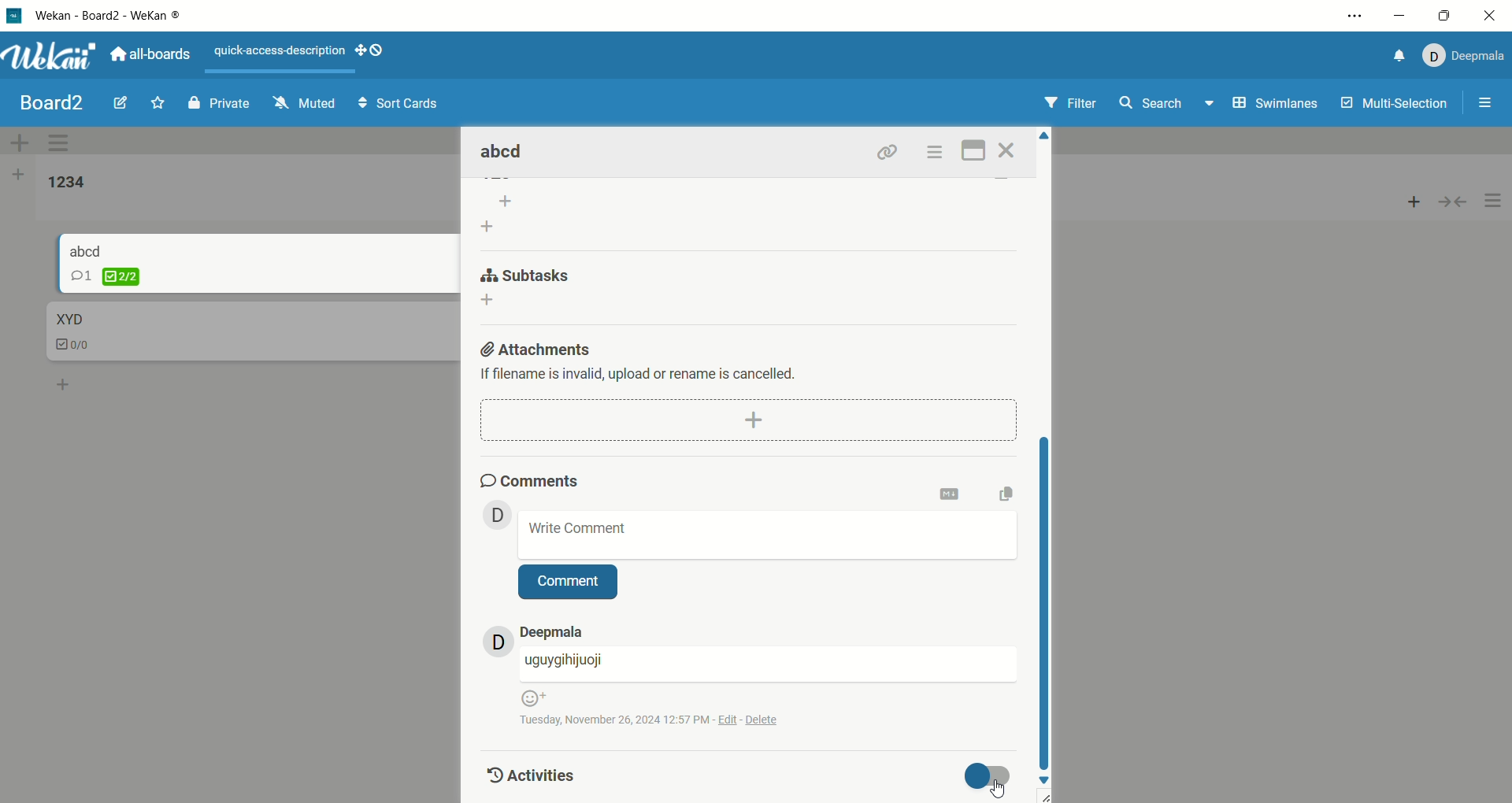 Image resolution: width=1512 pixels, height=803 pixels. Describe the element at coordinates (219, 102) in the screenshot. I see `private` at that location.